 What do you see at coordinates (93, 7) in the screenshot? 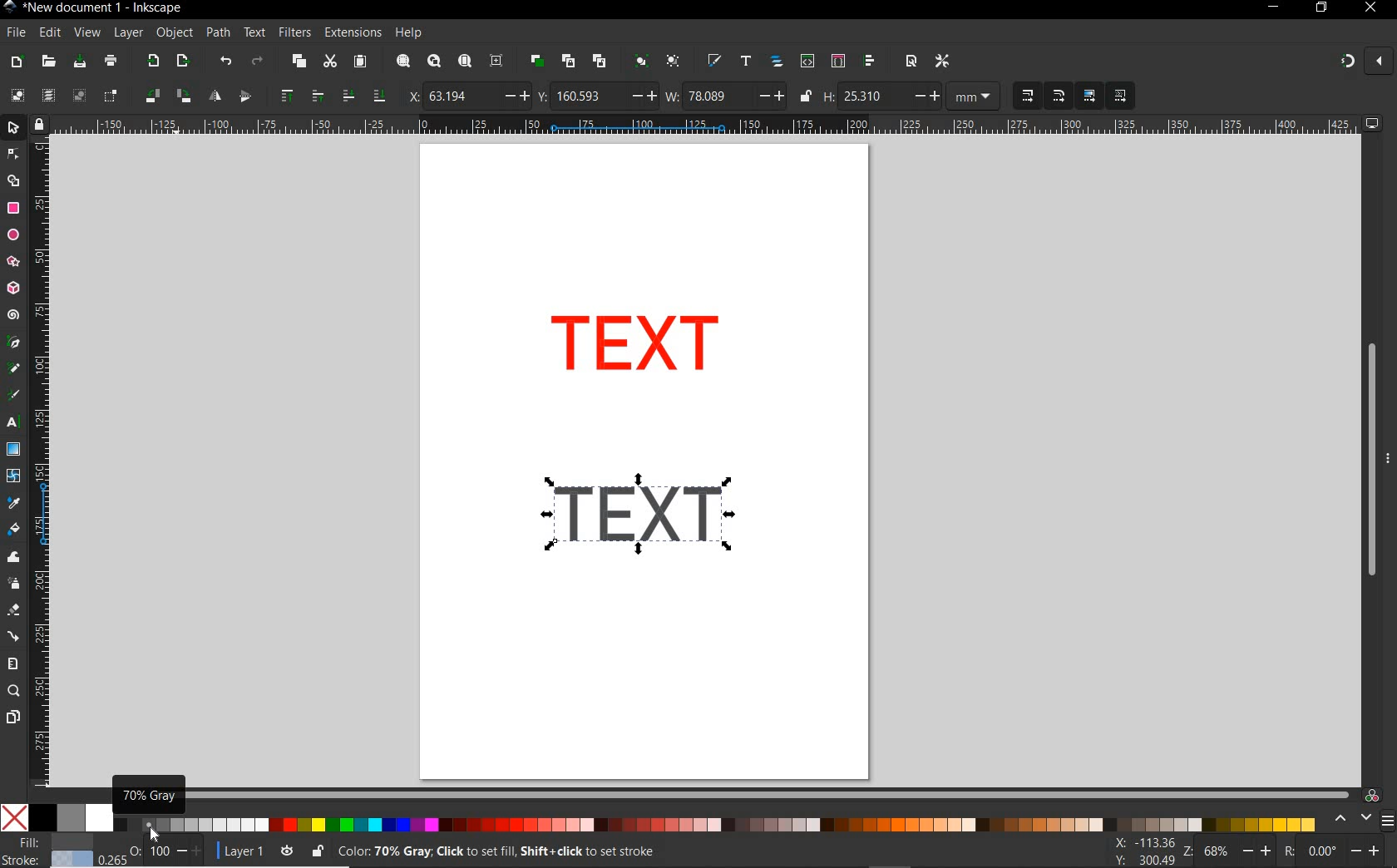
I see `file name` at bounding box center [93, 7].